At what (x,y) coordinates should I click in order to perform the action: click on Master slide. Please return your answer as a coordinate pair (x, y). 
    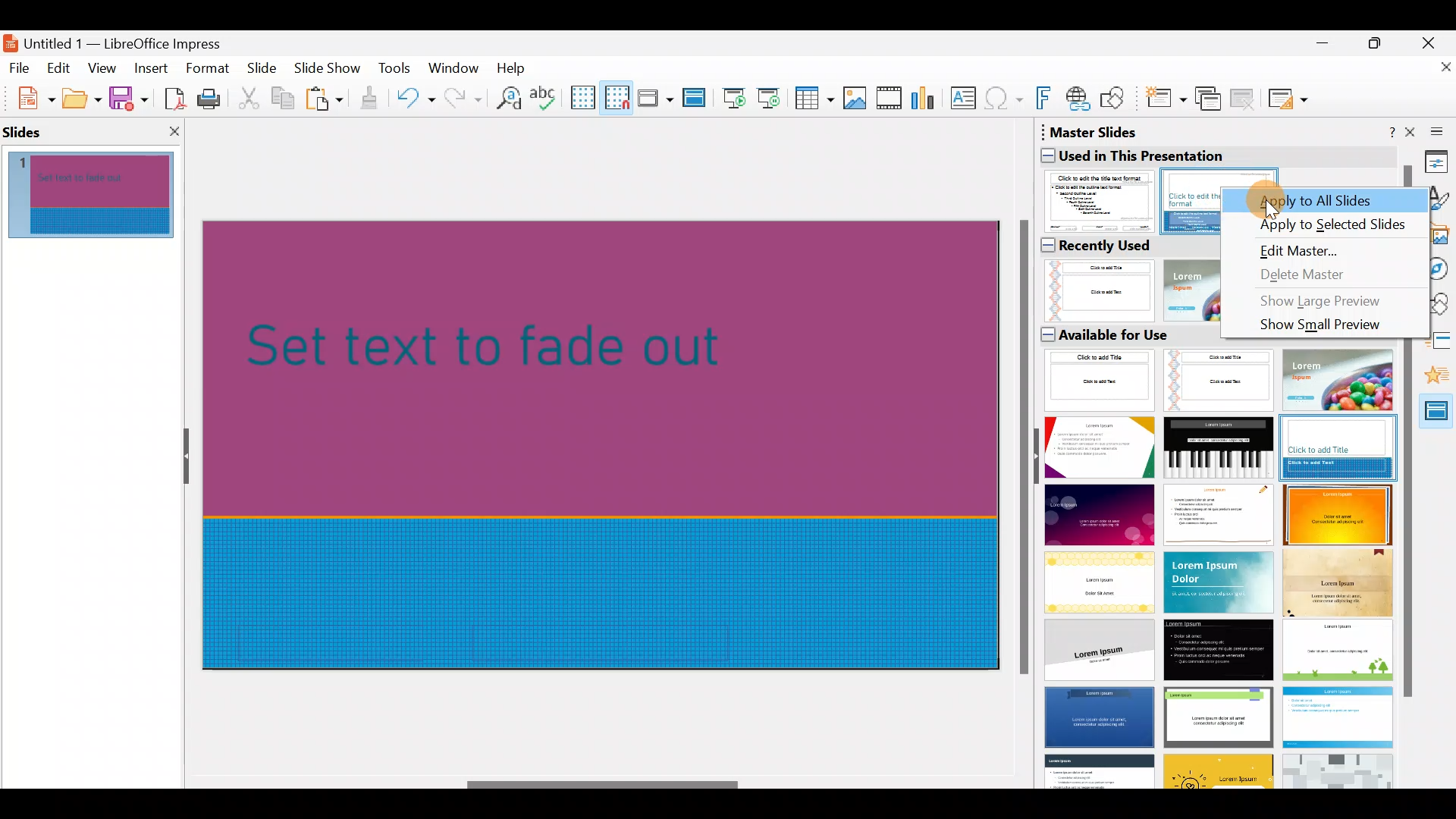
    Looking at the image, I should click on (696, 99).